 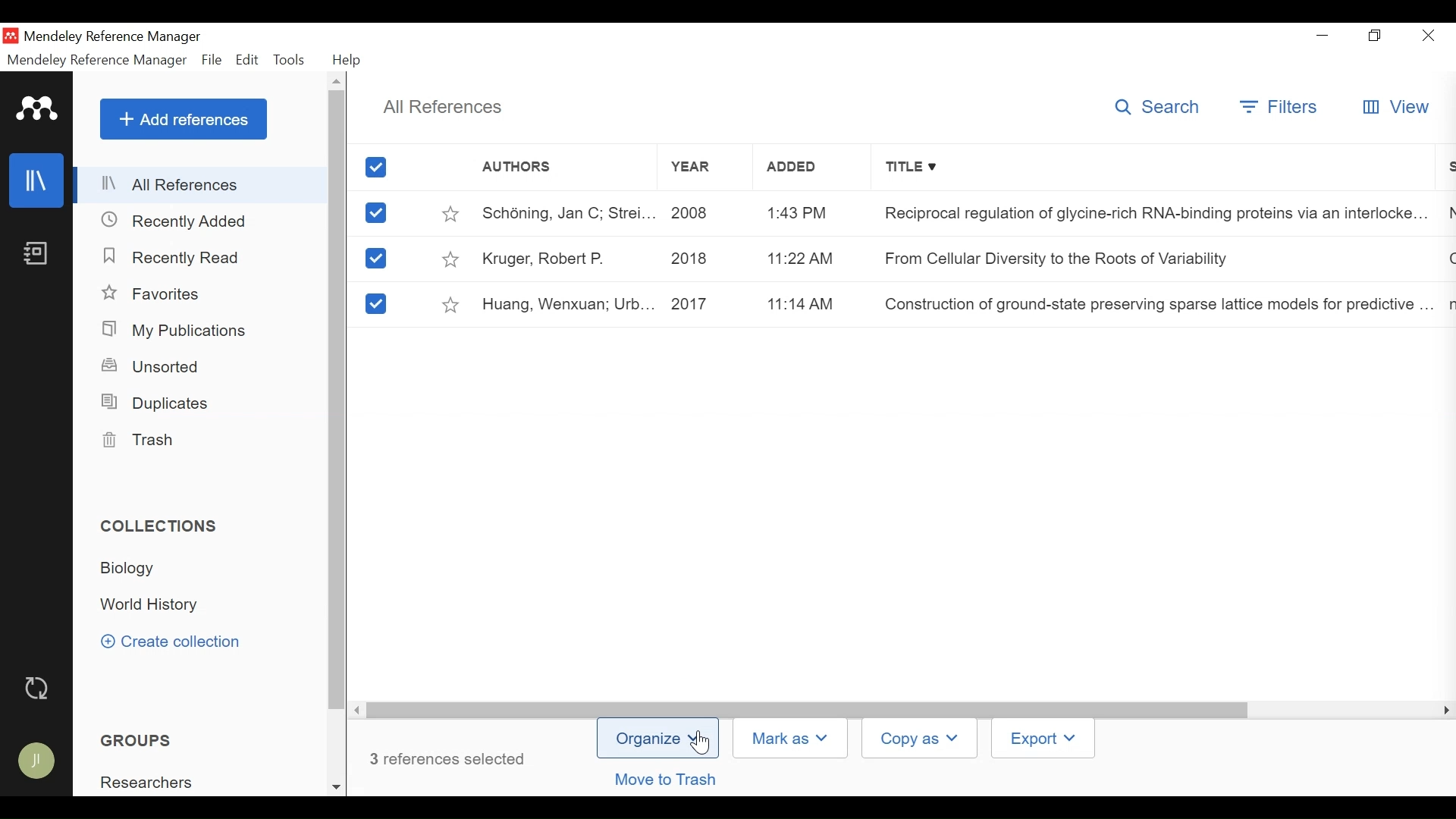 What do you see at coordinates (804, 303) in the screenshot?
I see `11:14 AM` at bounding box center [804, 303].